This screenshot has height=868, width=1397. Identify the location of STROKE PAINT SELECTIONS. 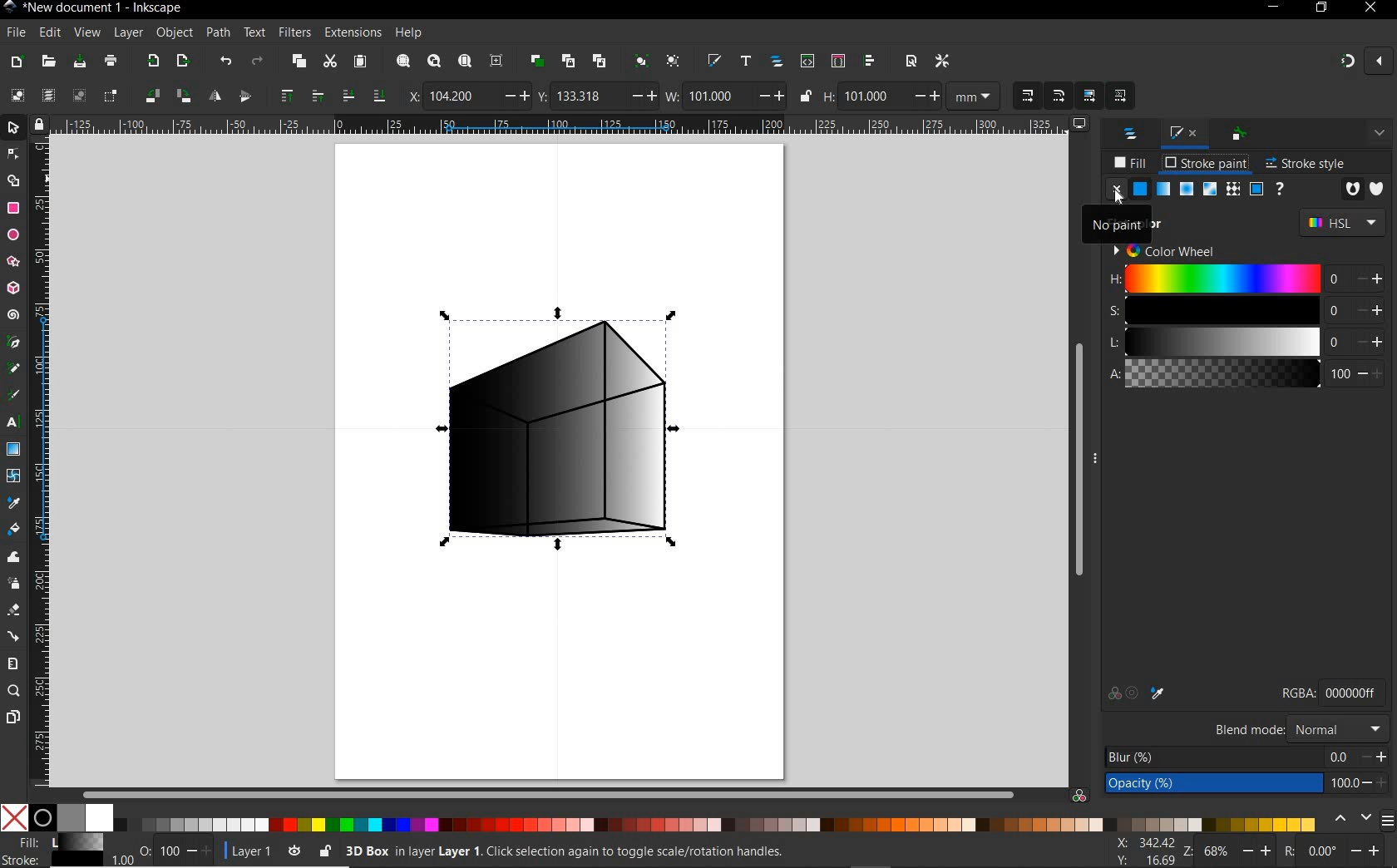
(1212, 189).